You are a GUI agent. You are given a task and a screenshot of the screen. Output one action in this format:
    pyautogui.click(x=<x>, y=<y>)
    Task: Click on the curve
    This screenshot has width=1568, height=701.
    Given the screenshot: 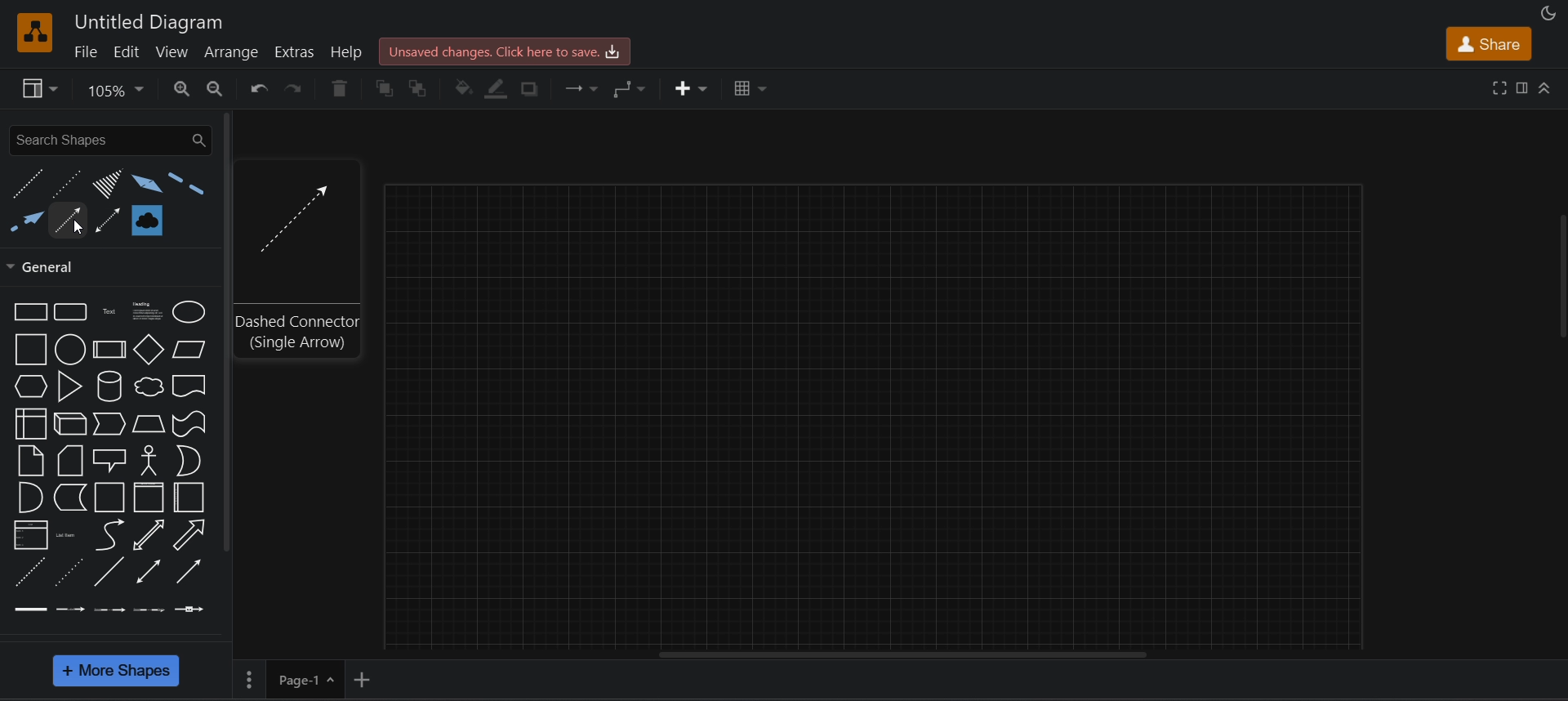 What is the action you would take?
    pyautogui.click(x=111, y=535)
    